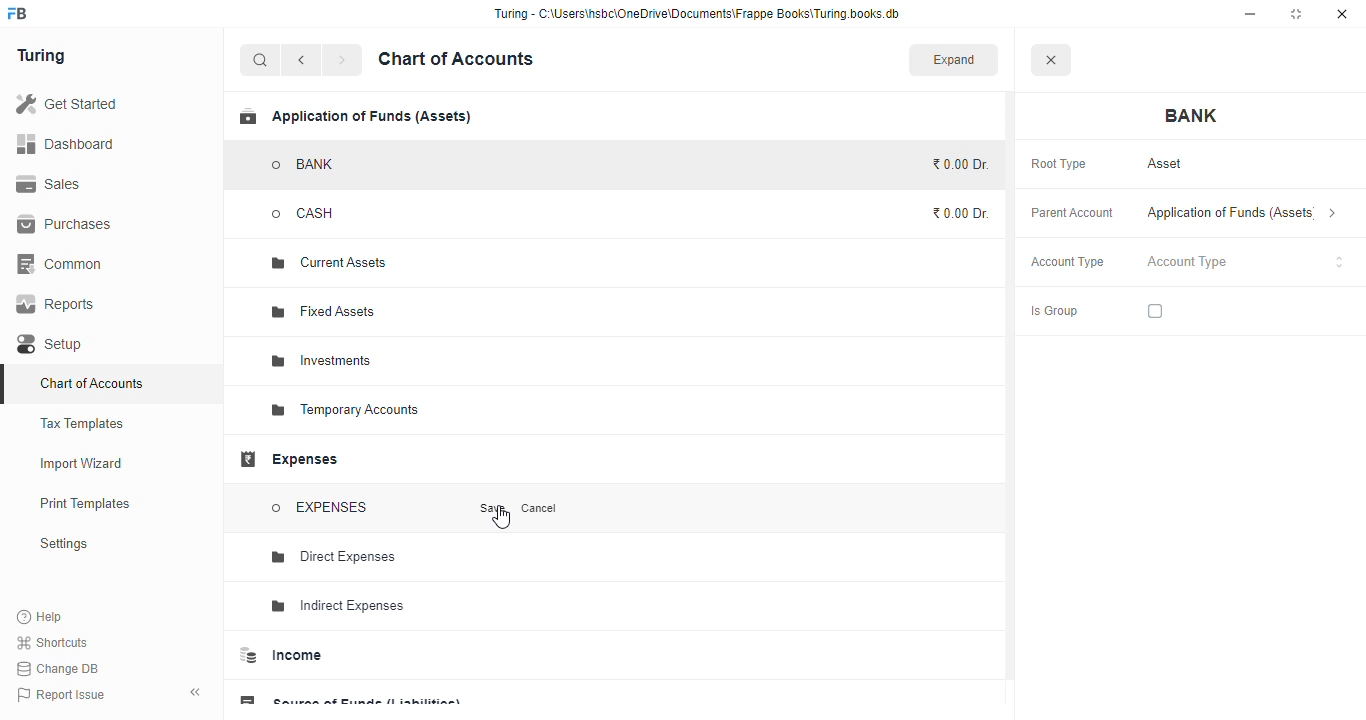  What do you see at coordinates (60, 694) in the screenshot?
I see `report issue` at bounding box center [60, 694].